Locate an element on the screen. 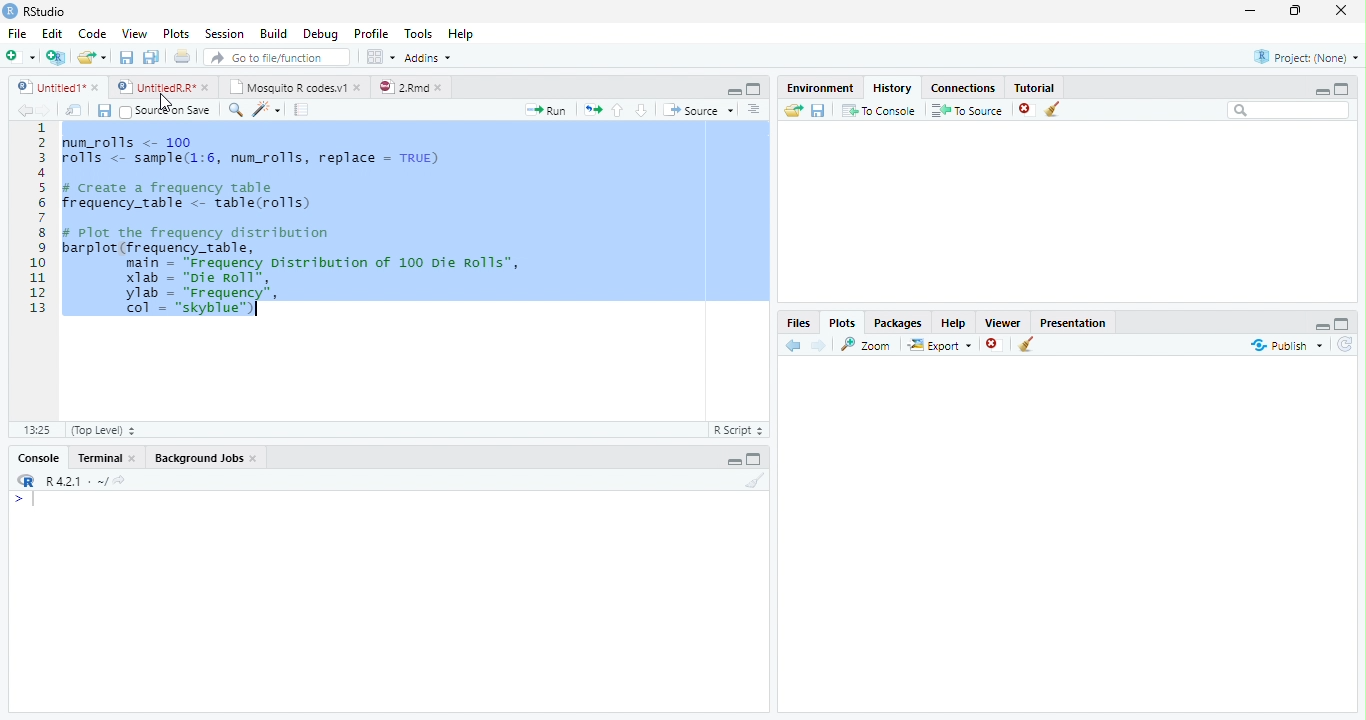 Image resolution: width=1366 pixels, height=720 pixels. Minimize Height is located at coordinates (1321, 91).